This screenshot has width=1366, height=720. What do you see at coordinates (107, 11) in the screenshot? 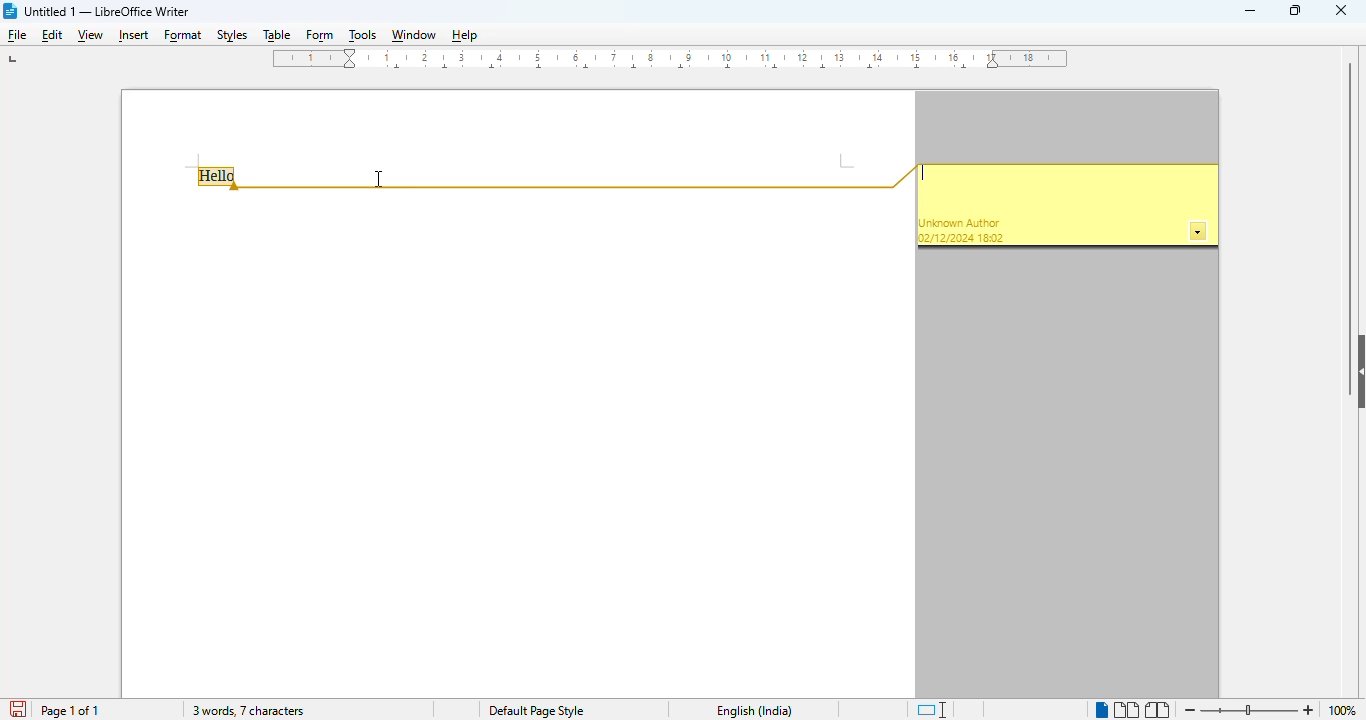
I see `title` at bounding box center [107, 11].